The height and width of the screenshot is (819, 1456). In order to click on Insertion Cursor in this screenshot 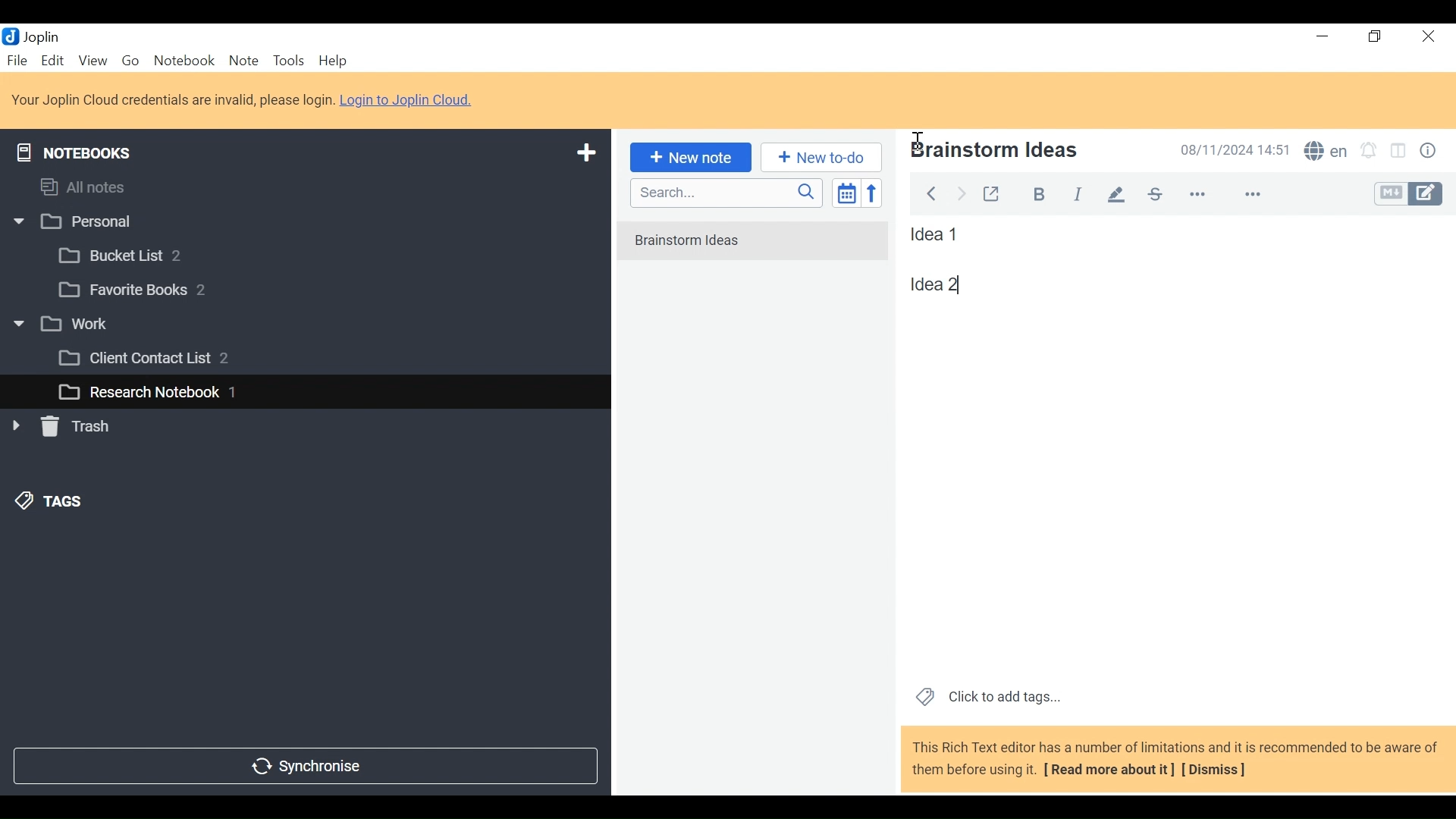, I will do `click(917, 135)`.